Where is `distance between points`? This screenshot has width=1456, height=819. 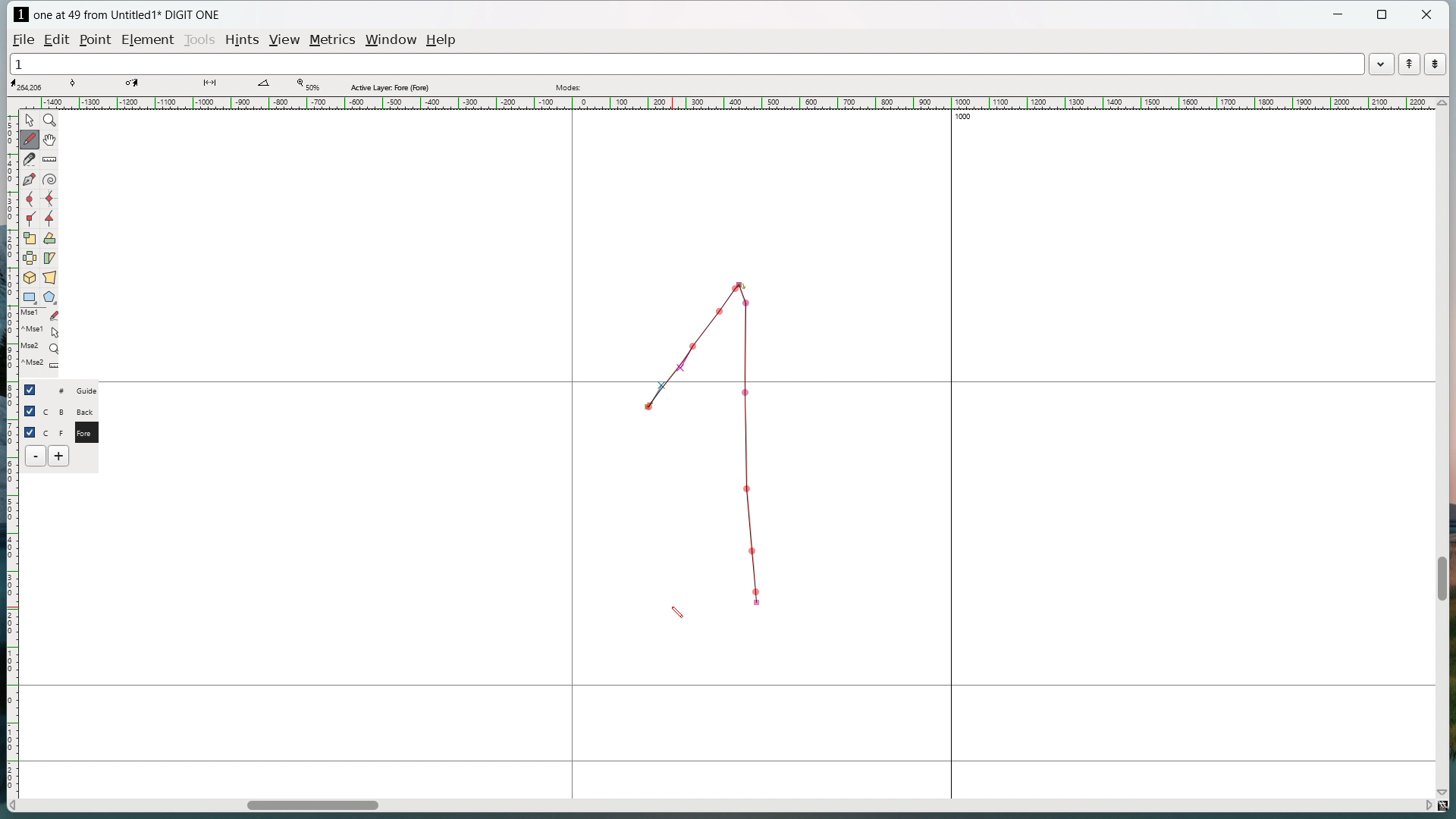
distance between points is located at coordinates (219, 85).